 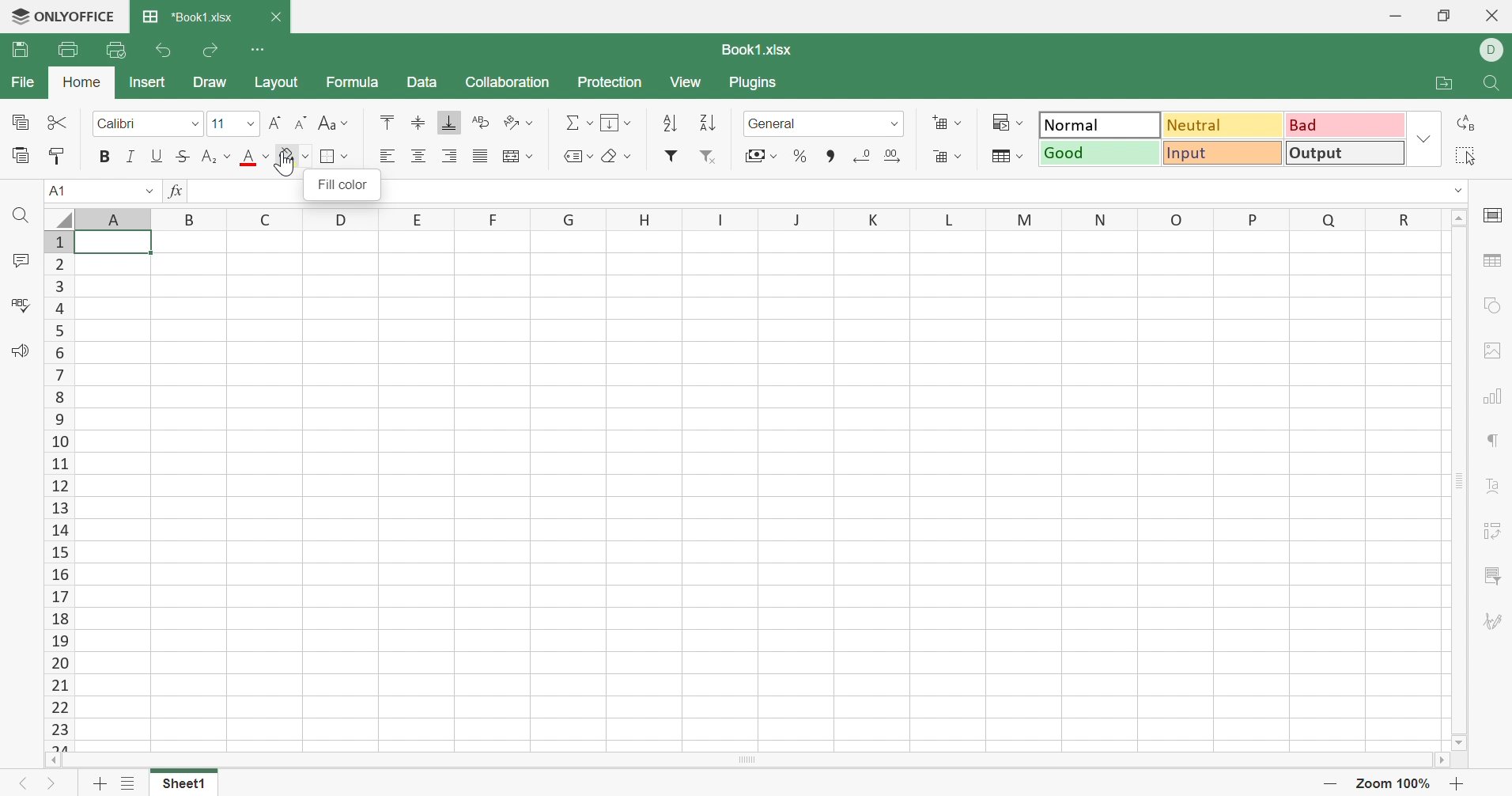 What do you see at coordinates (822, 122) in the screenshot?
I see `General` at bounding box center [822, 122].